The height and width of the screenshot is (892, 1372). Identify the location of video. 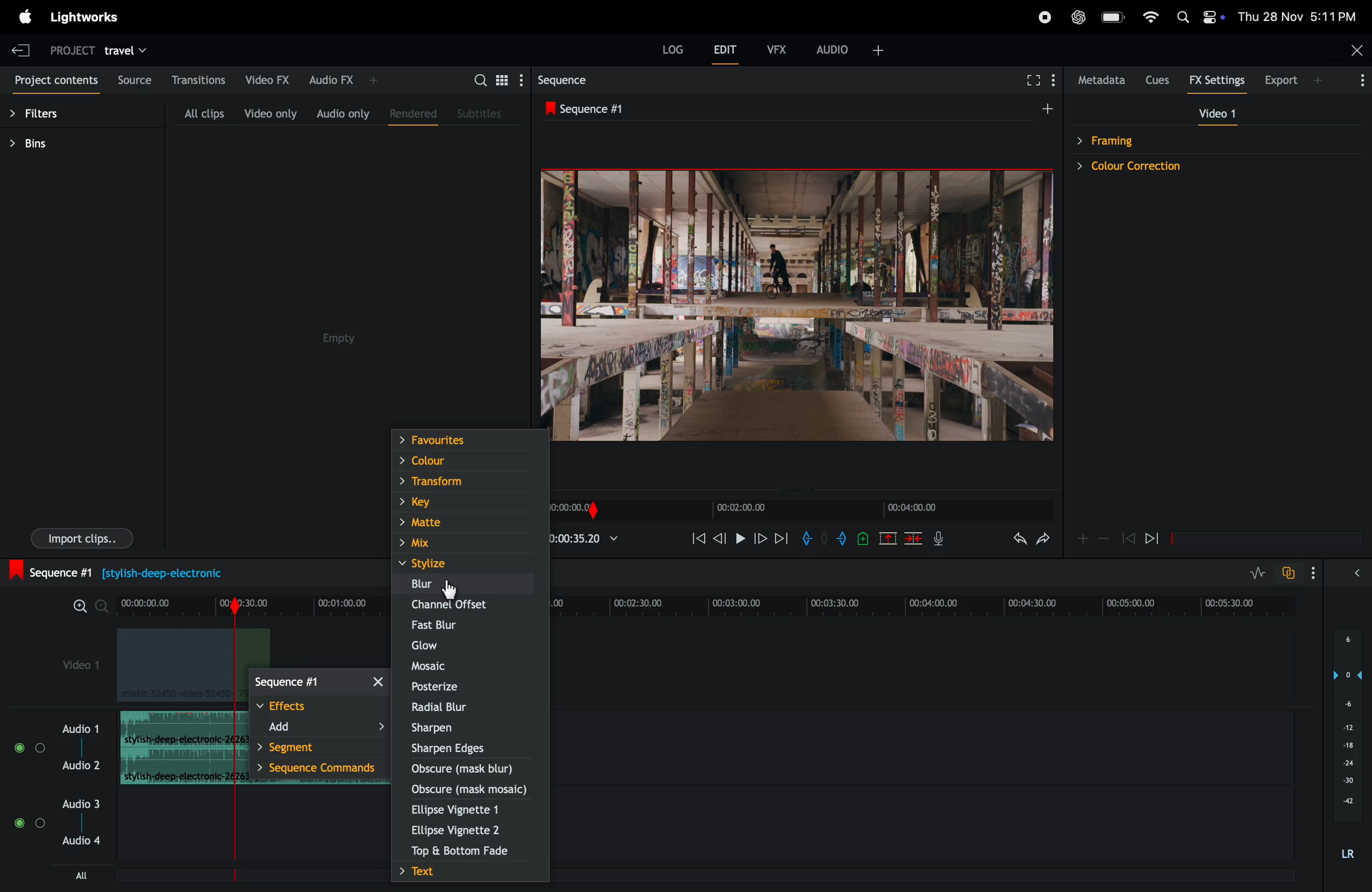
(1216, 115).